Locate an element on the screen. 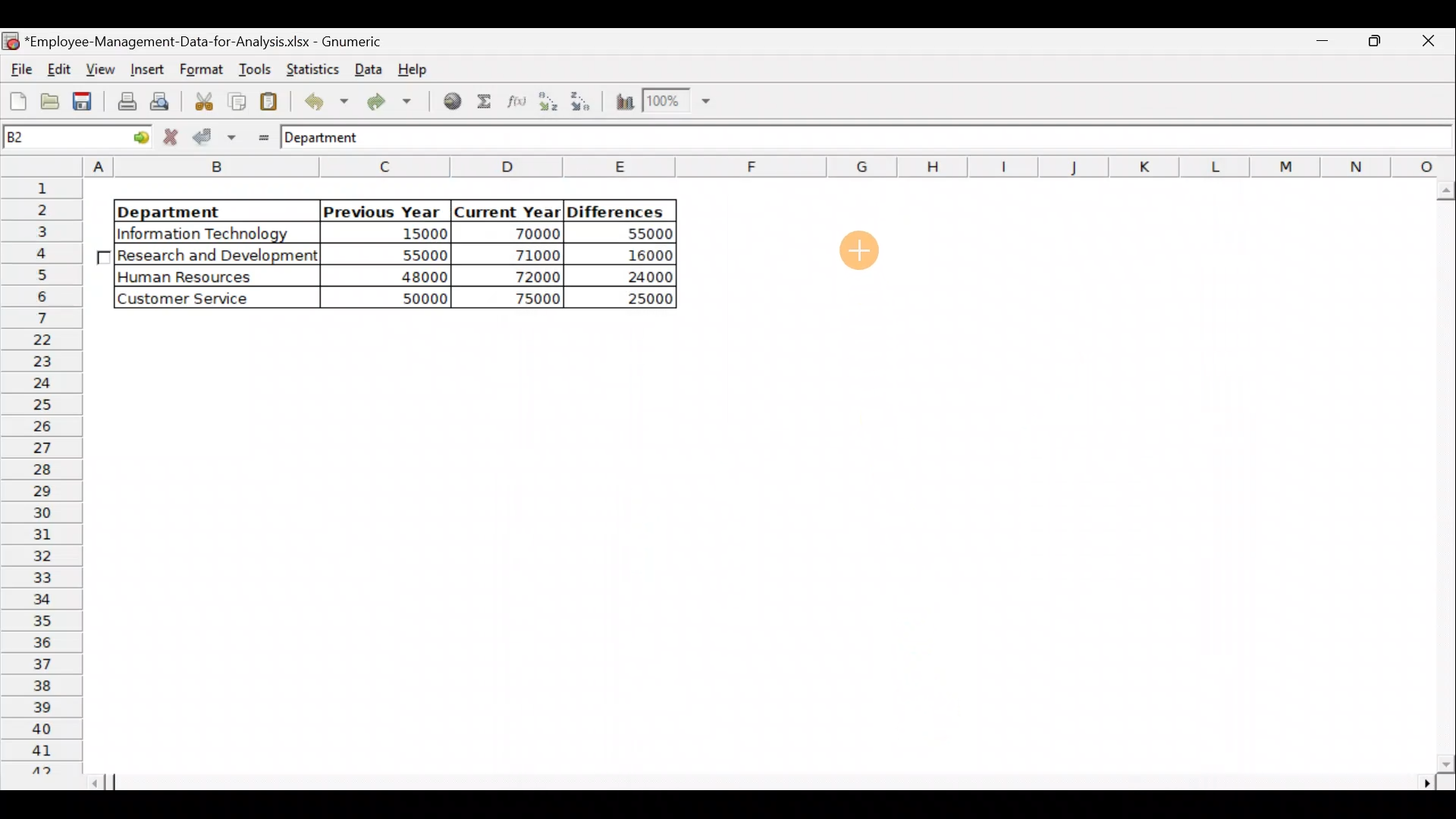 This screenshot has height=819, width=1456. Close is located at coordinates (1429, 43).